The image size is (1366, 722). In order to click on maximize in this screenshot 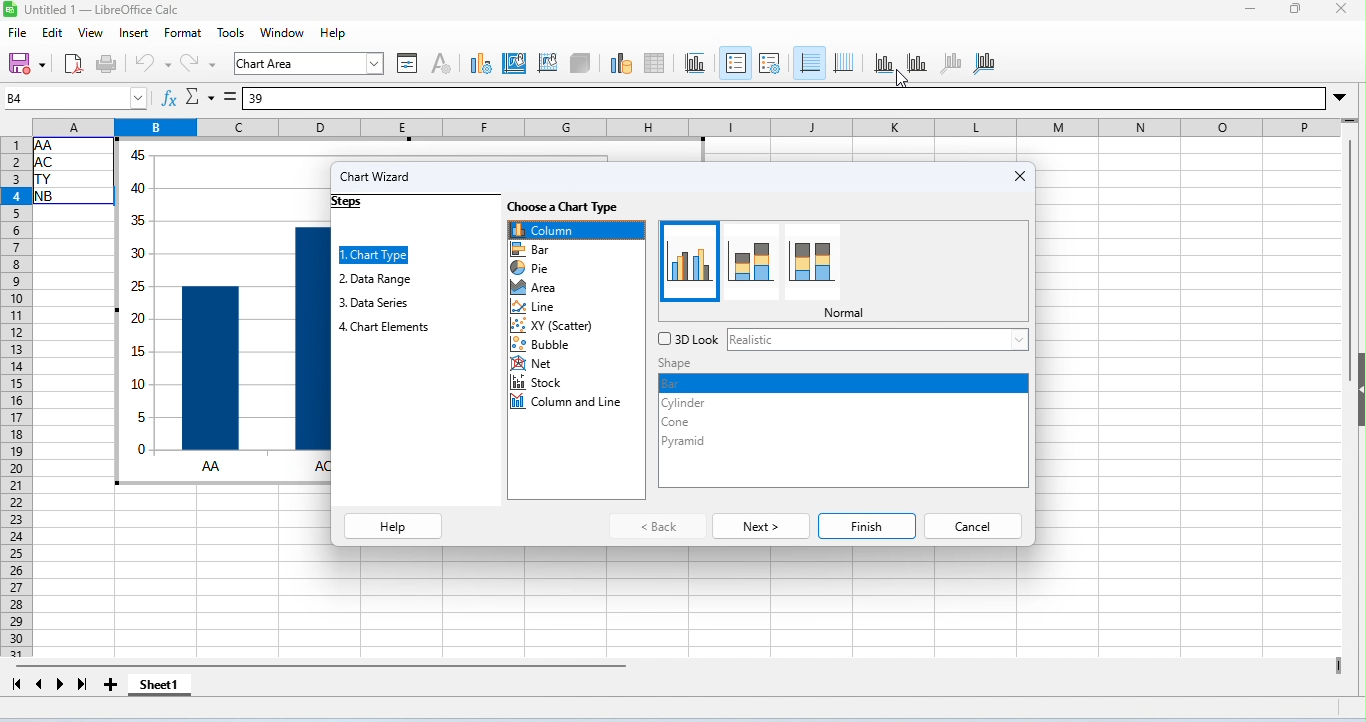, I will do `click(1293, 10)`.